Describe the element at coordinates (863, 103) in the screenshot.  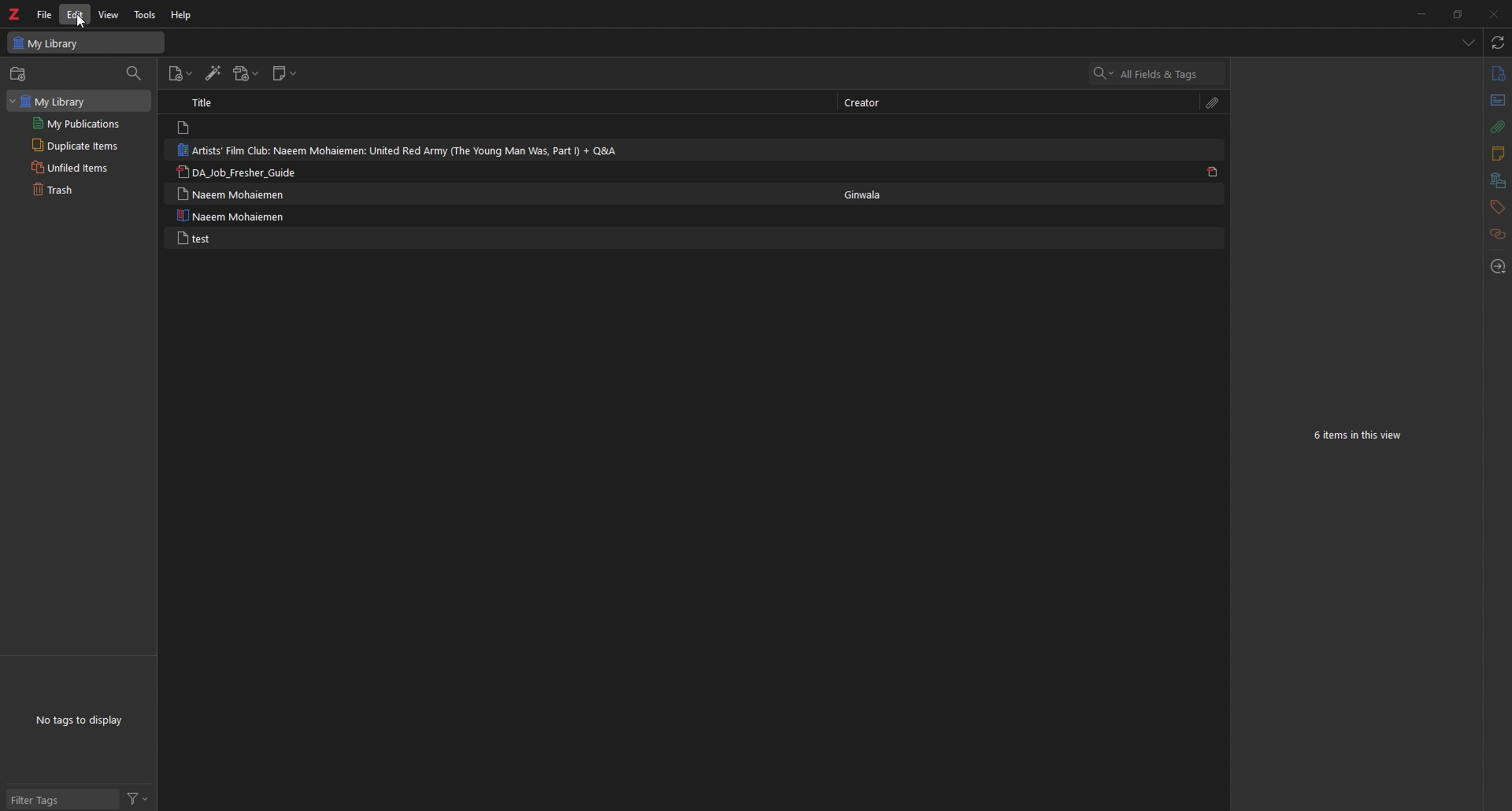
I see `creator` at that location.